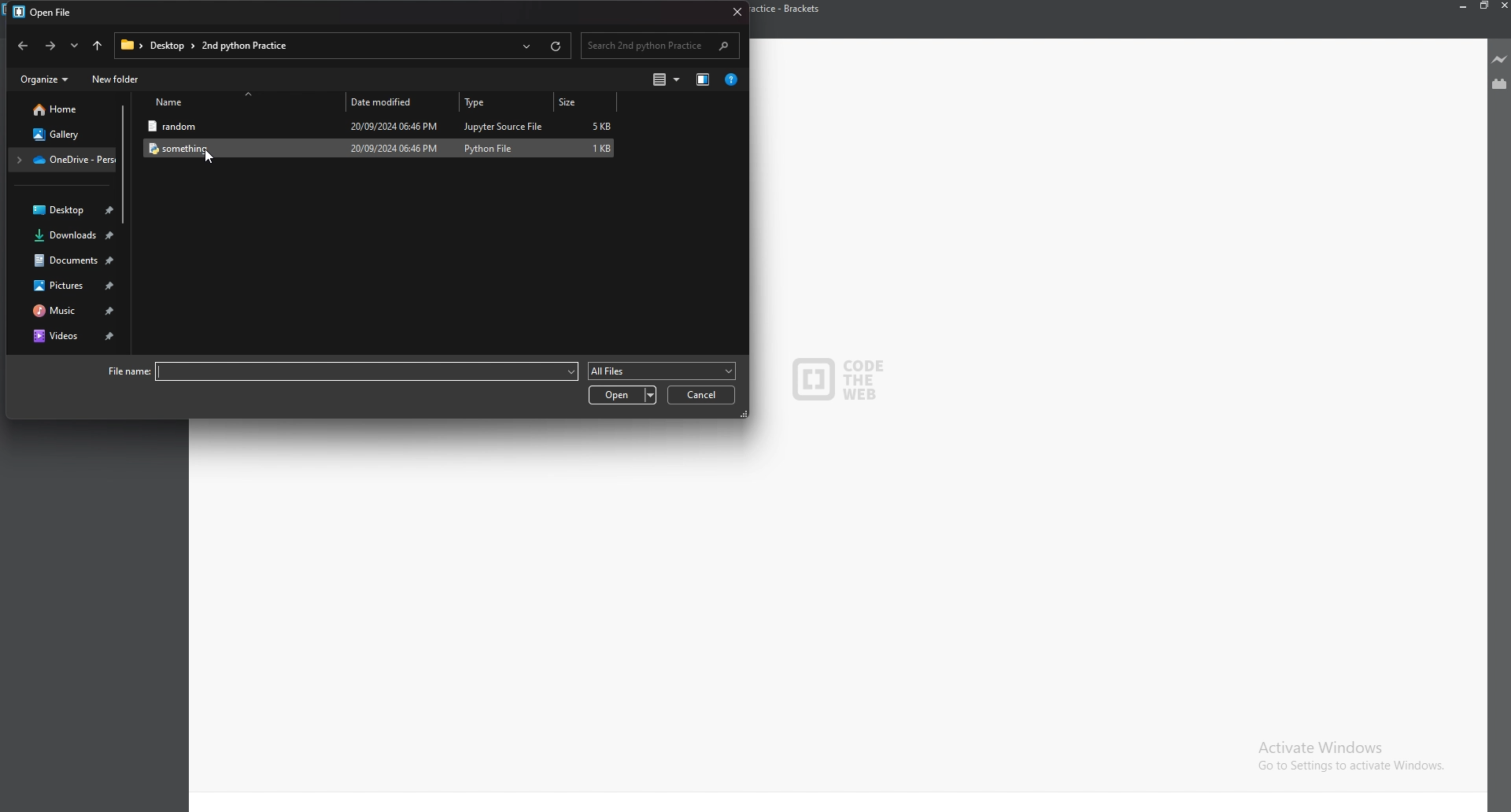 The image size is (1511, 812). I want to click on 5 KB, so click(601, 126).